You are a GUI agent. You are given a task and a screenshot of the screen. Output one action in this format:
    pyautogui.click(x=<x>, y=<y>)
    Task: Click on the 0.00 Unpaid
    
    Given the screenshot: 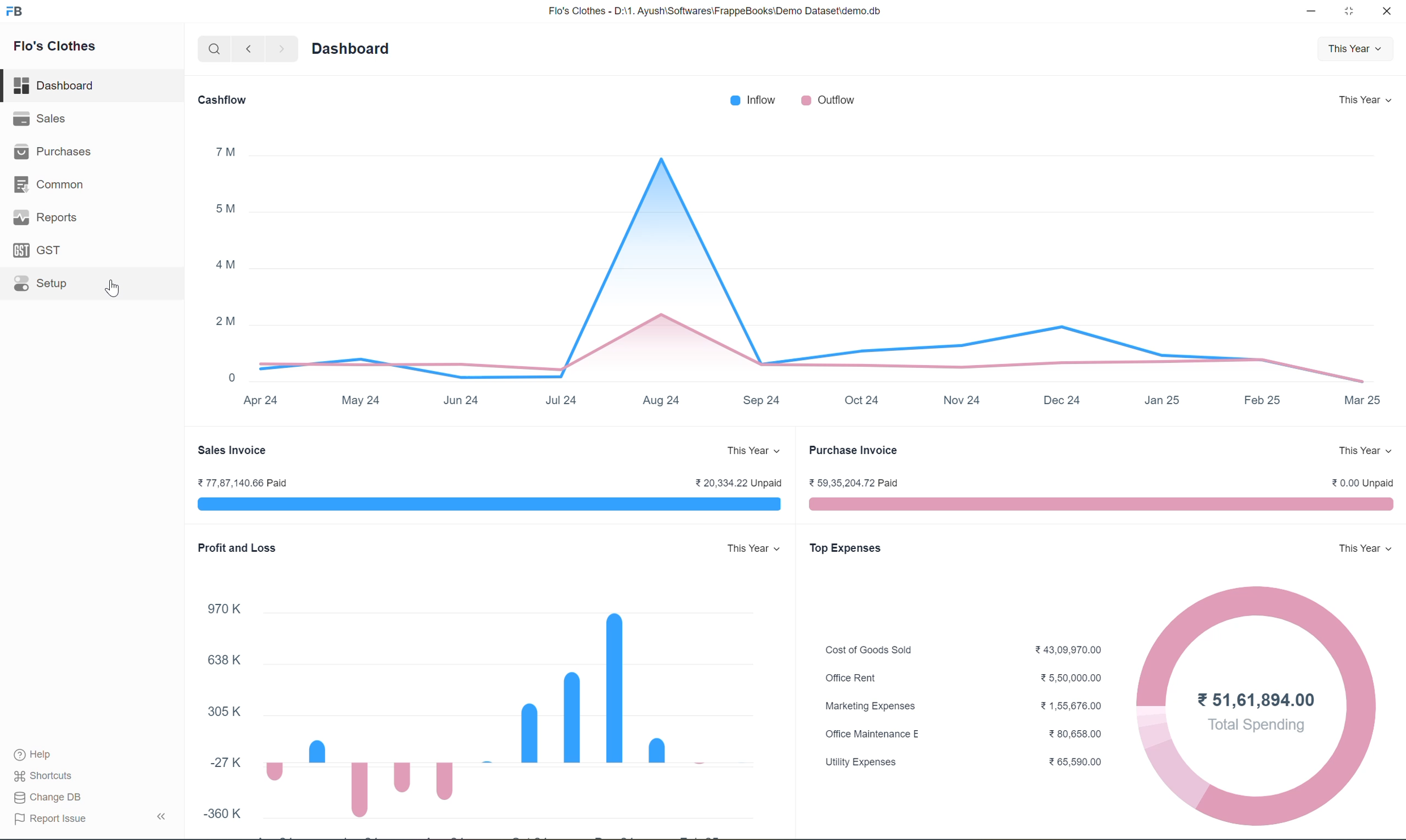 What is the action you would take?
    pyautogui.click(x=1361, y=482)
    